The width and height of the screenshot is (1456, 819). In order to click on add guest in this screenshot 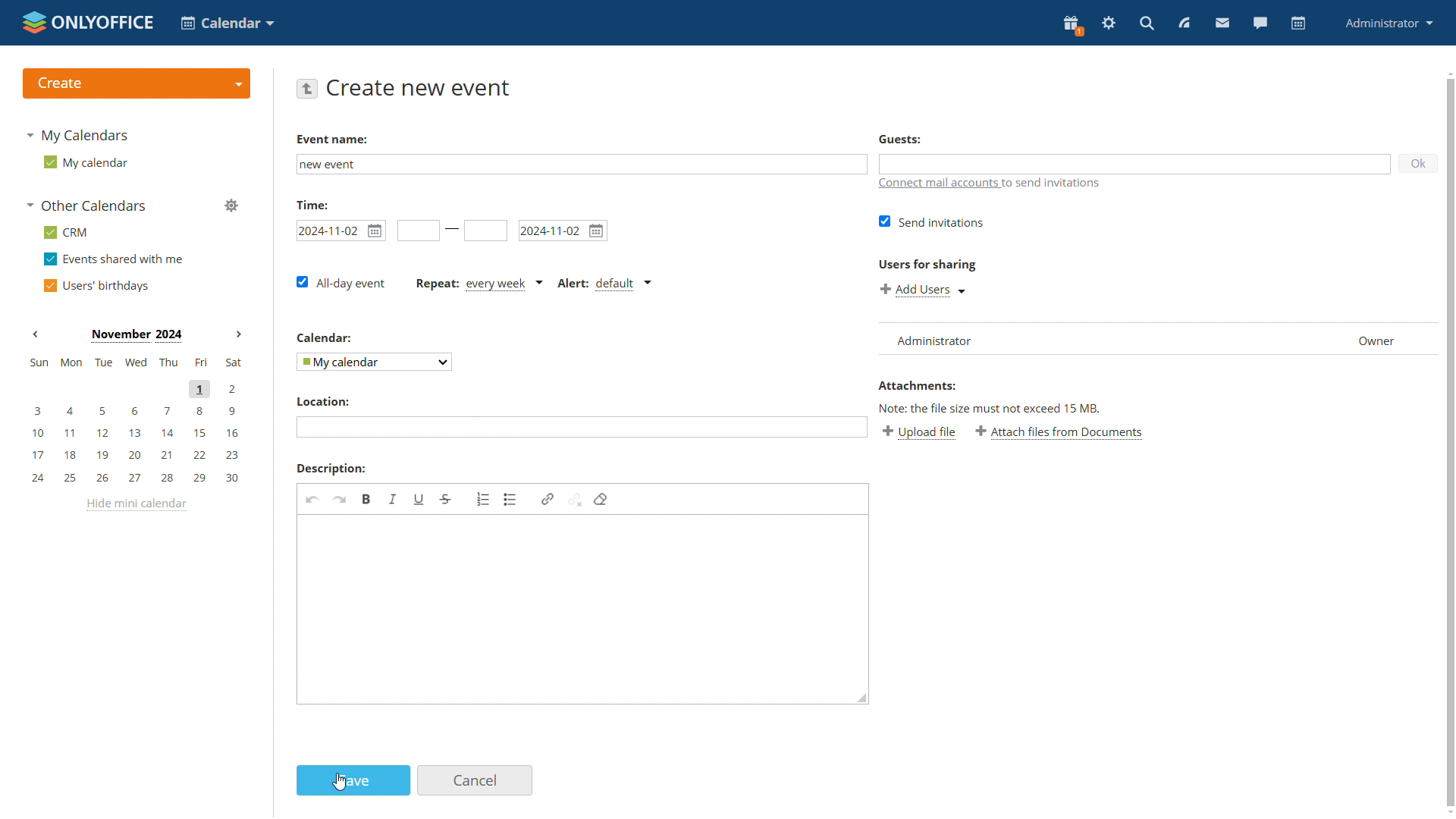, I will do `click(1136, 164)`.